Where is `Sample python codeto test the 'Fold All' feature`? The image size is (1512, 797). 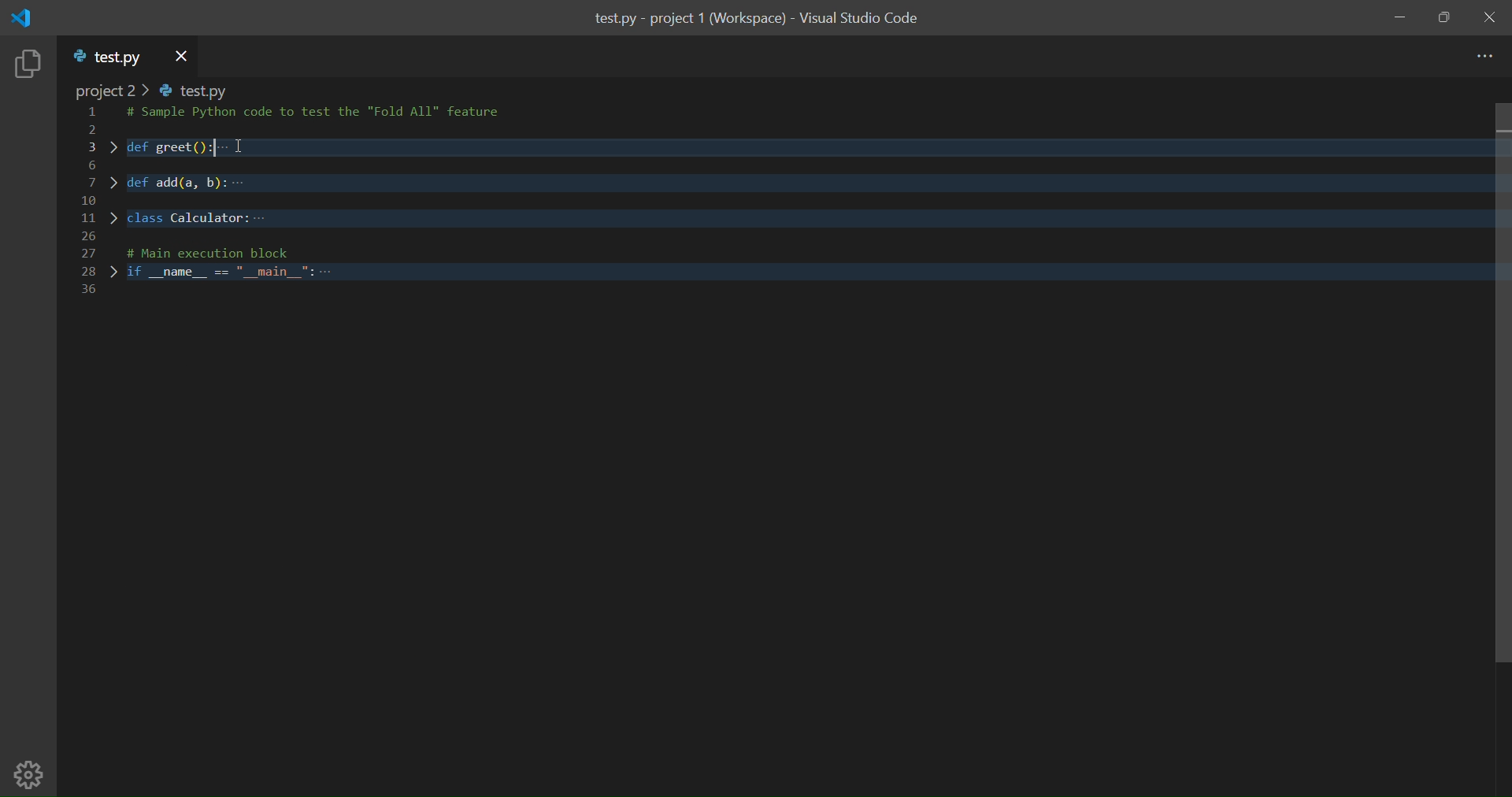 Sample python codeto test the 'Fold All' feature is located at coordinates (320, 114).